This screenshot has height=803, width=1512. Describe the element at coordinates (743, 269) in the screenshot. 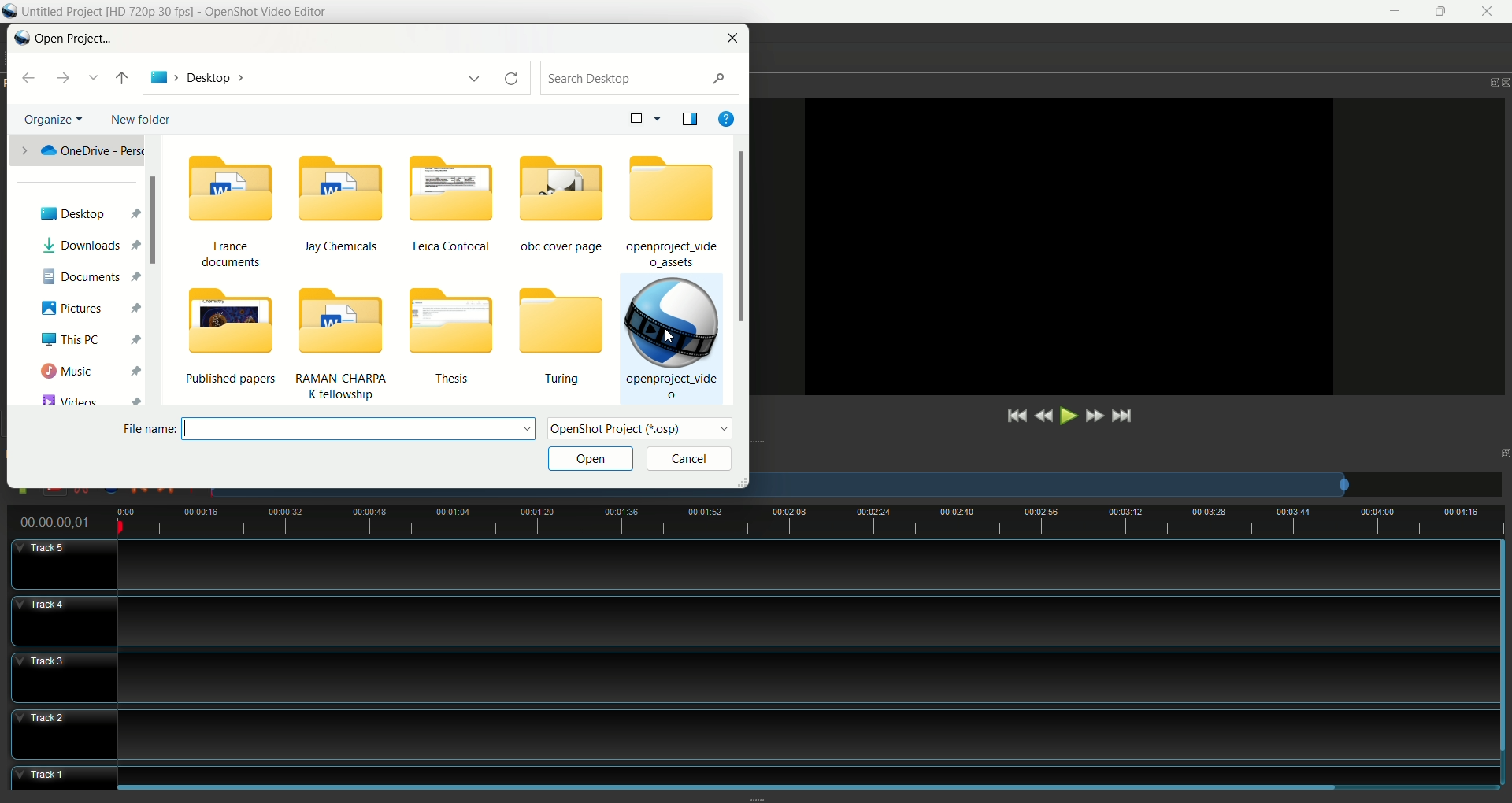

I see `scroll bar` at that location.